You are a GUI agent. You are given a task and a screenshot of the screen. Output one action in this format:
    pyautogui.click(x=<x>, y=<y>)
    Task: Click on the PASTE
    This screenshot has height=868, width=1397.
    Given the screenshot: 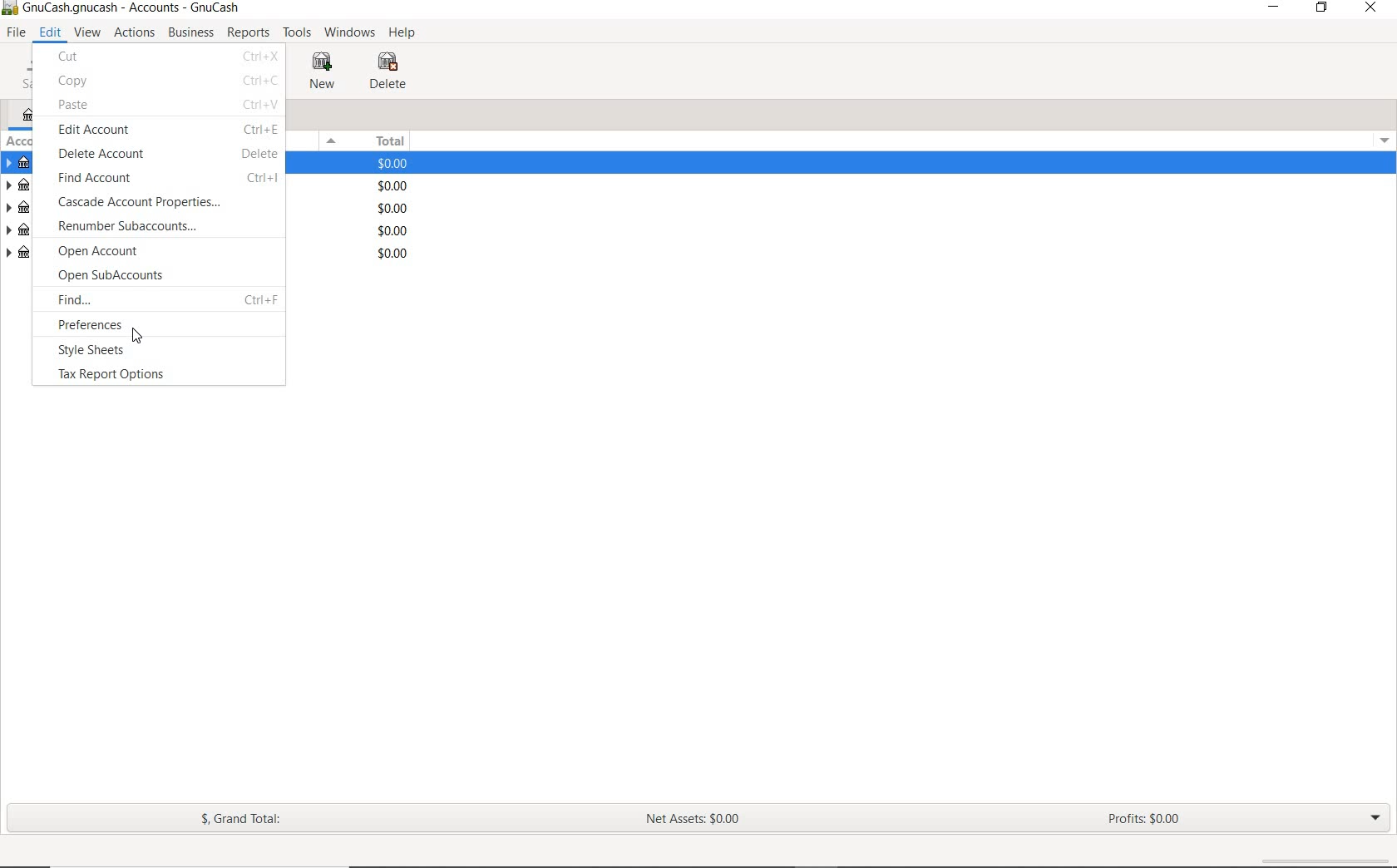 What is the action you would take?
    pyautogui.click(x=167, y=105)
    